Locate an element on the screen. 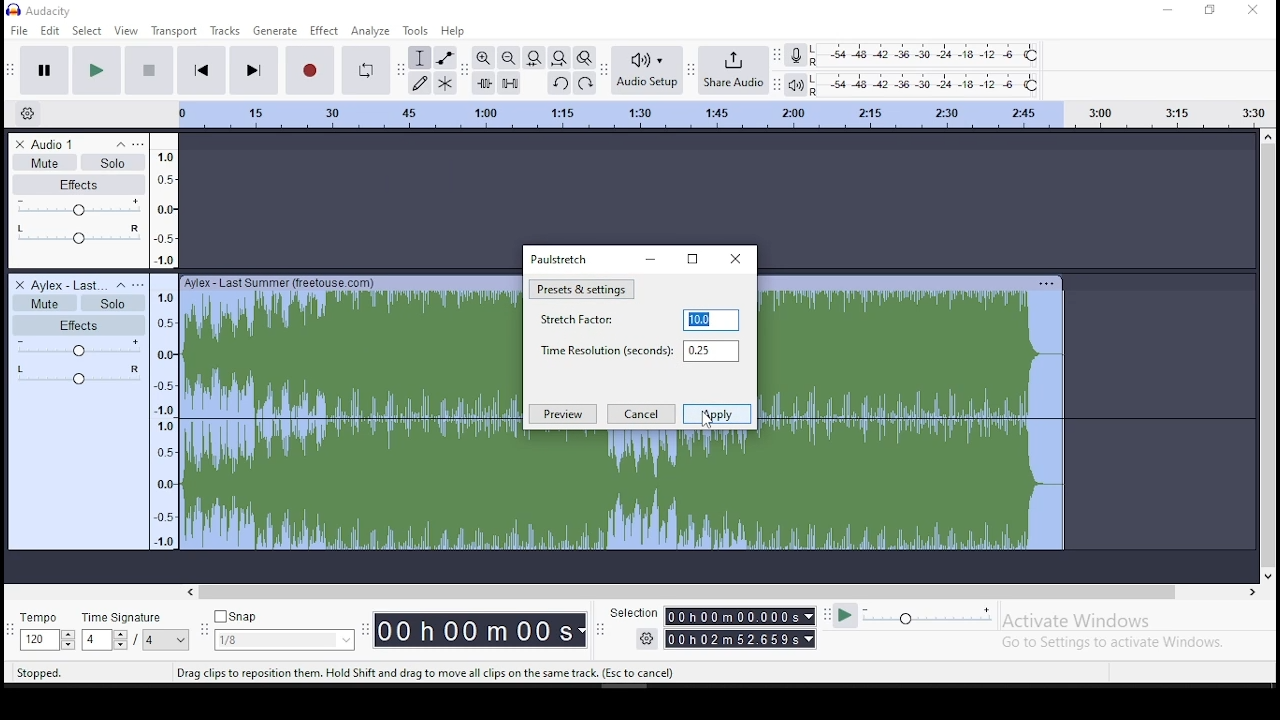  analyze is located at coordinates (371, 30).